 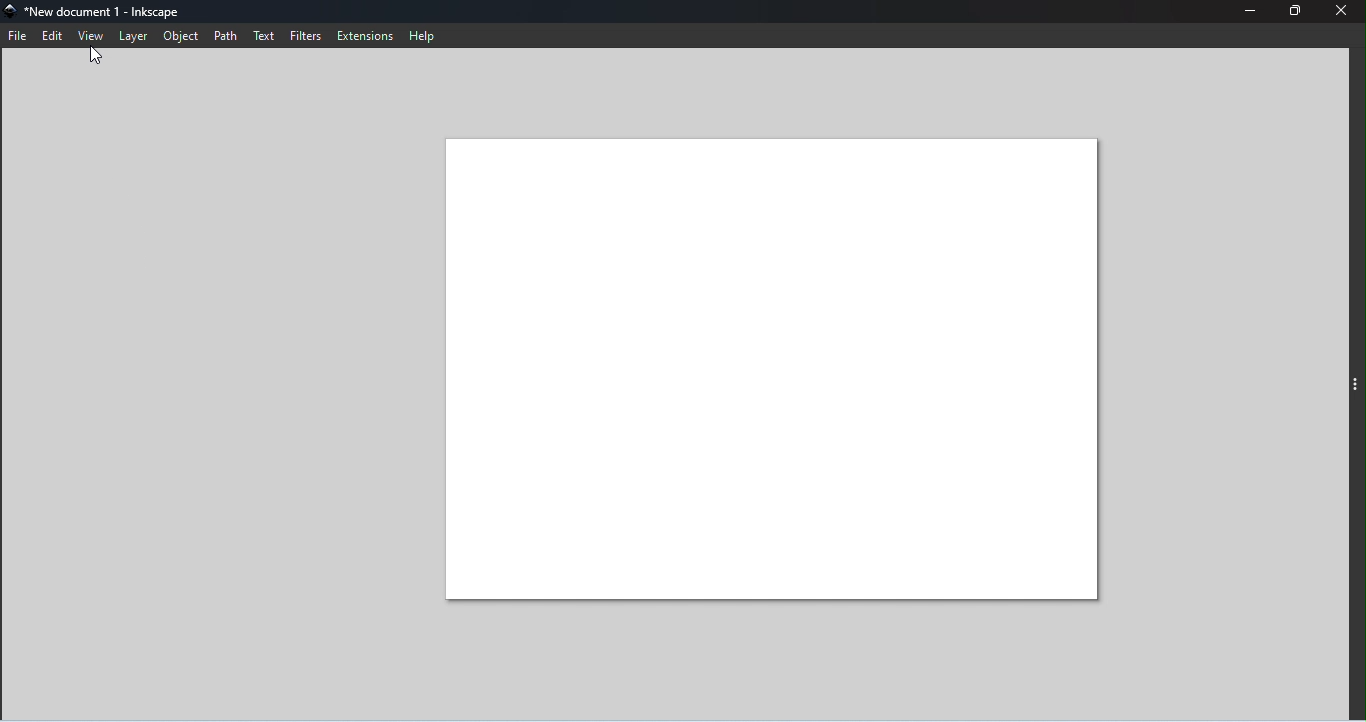 I want to click on File name, so click(x=99, y=10).